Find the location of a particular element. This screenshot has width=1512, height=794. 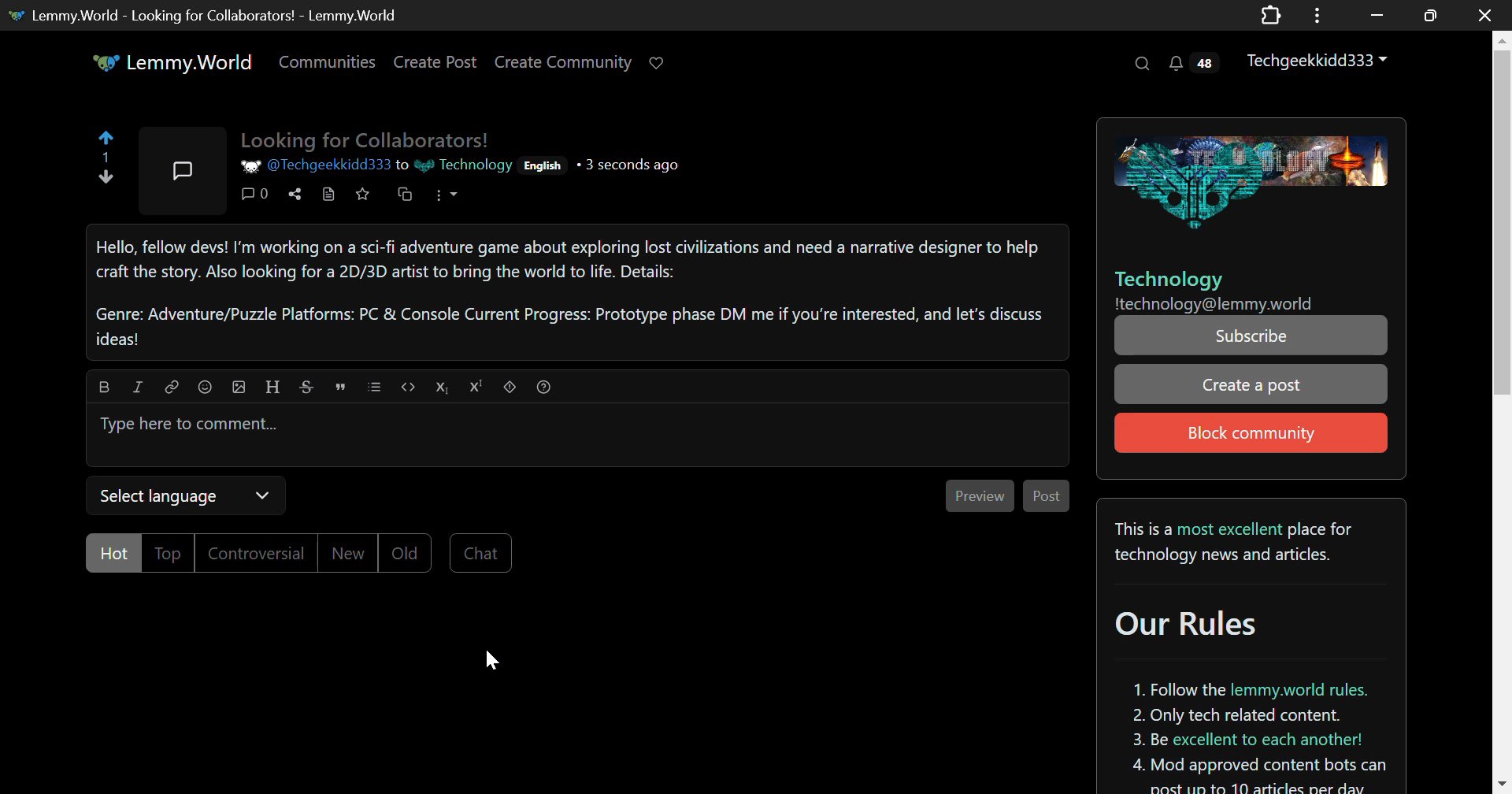

Community Post Icon is located at coordinates (176, 171).